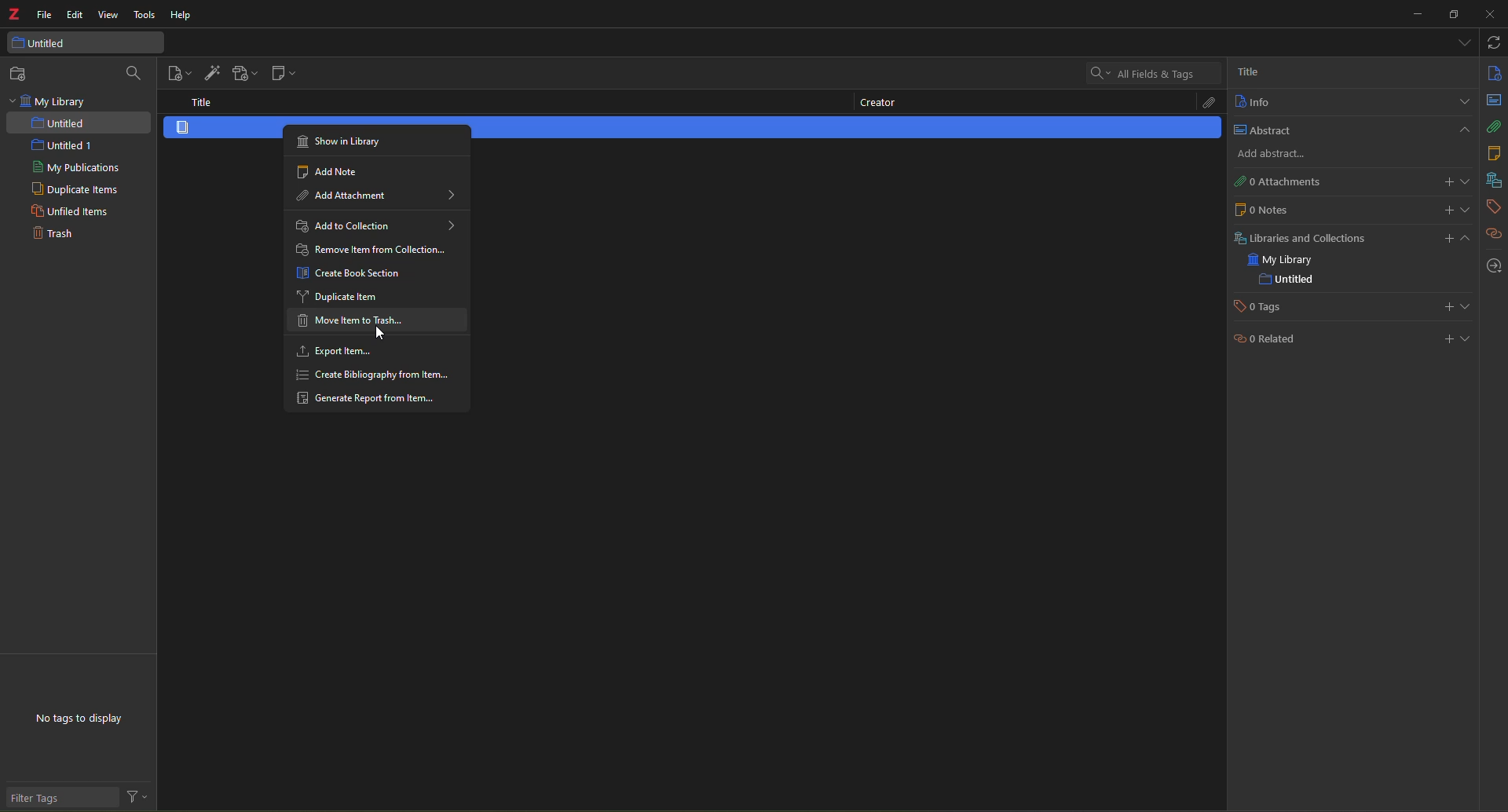 This screenshot has height=812, width=1508. What do you see at coordinates (135, 73) in the screenshot?
I see `search` at bounding box center [135, 73].